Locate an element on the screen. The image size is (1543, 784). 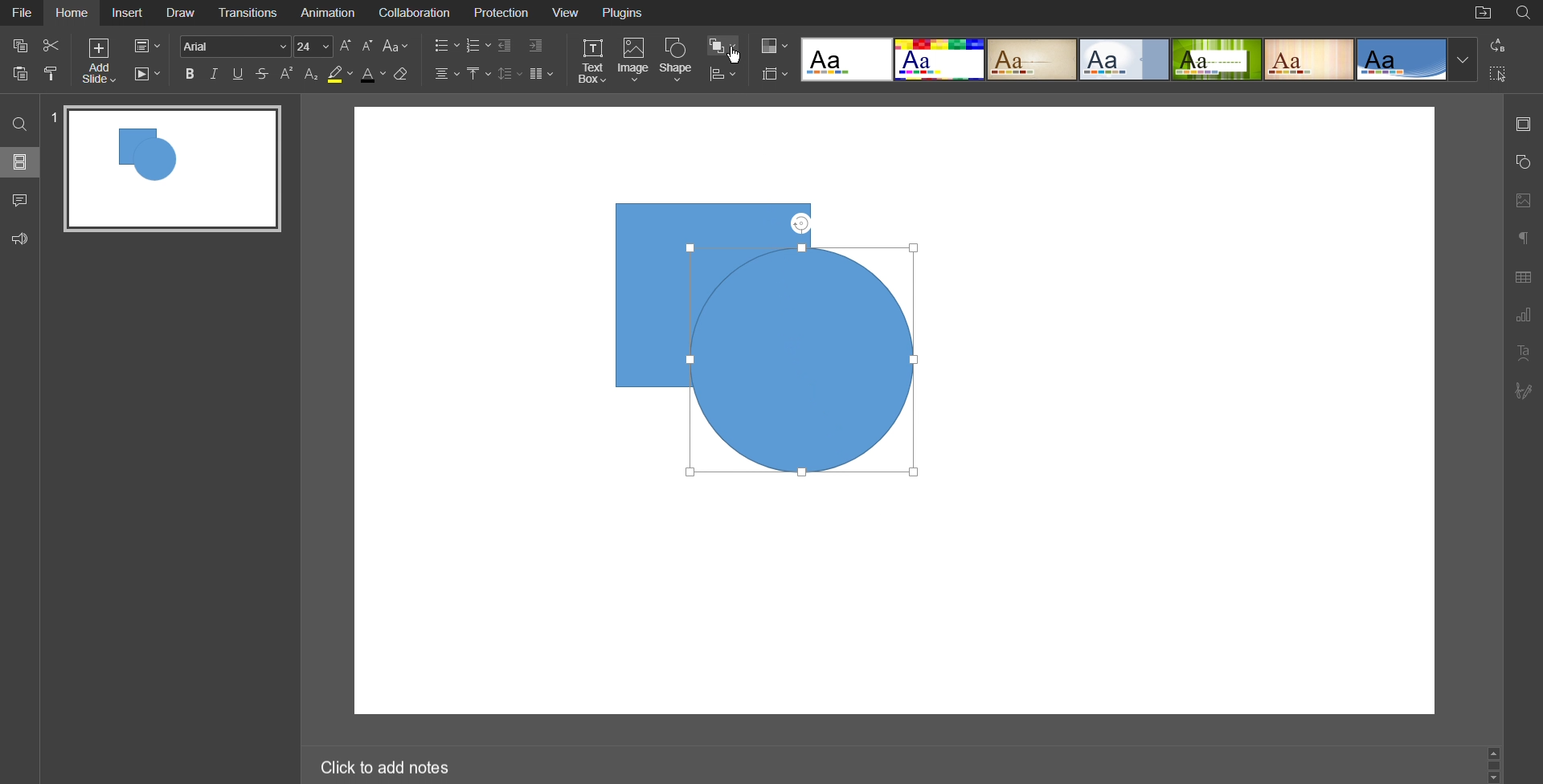
Search is located at coordinates (18, 123).